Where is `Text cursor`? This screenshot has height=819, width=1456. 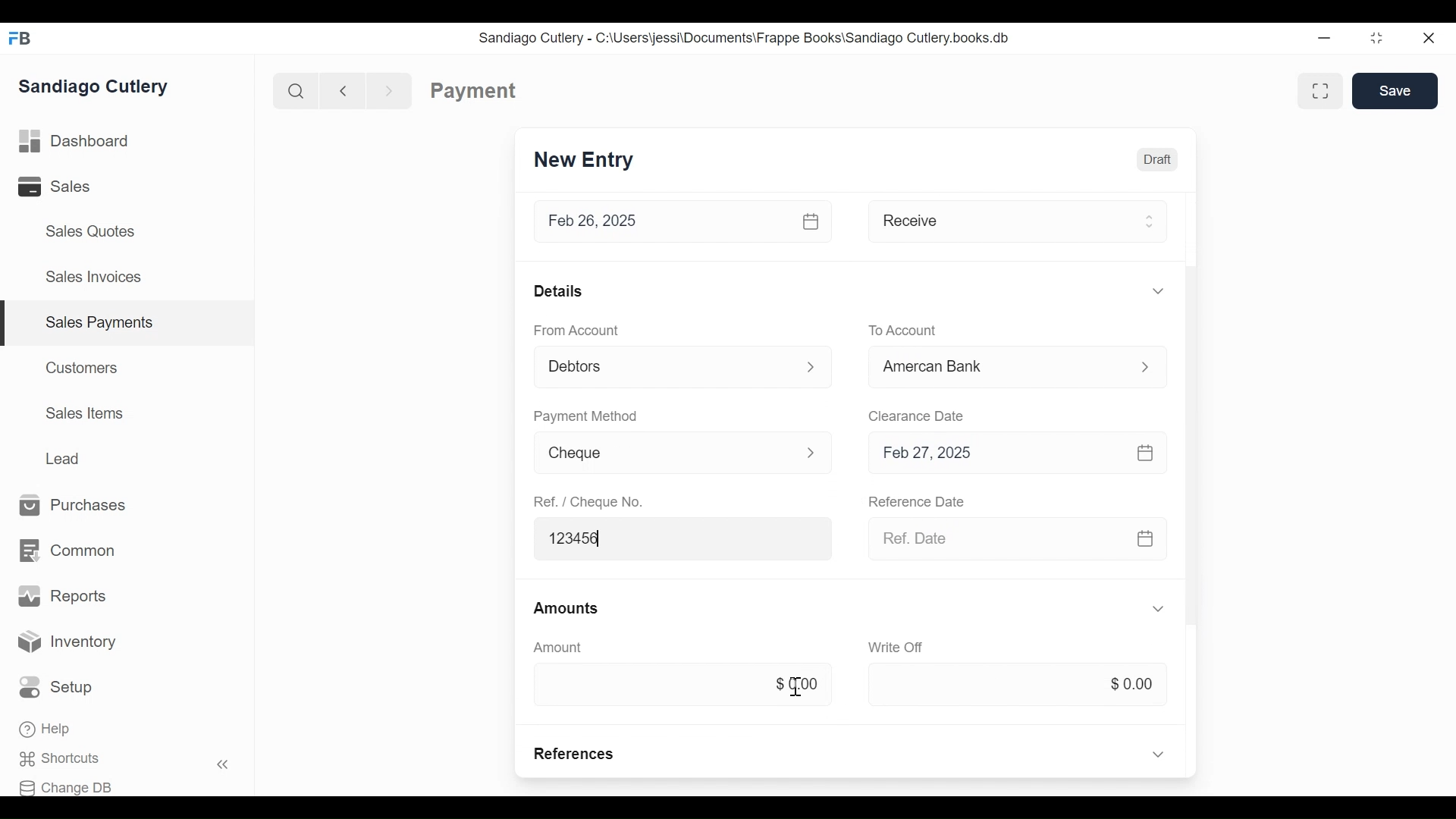
Text cursor is located at coordinates (795, 686).